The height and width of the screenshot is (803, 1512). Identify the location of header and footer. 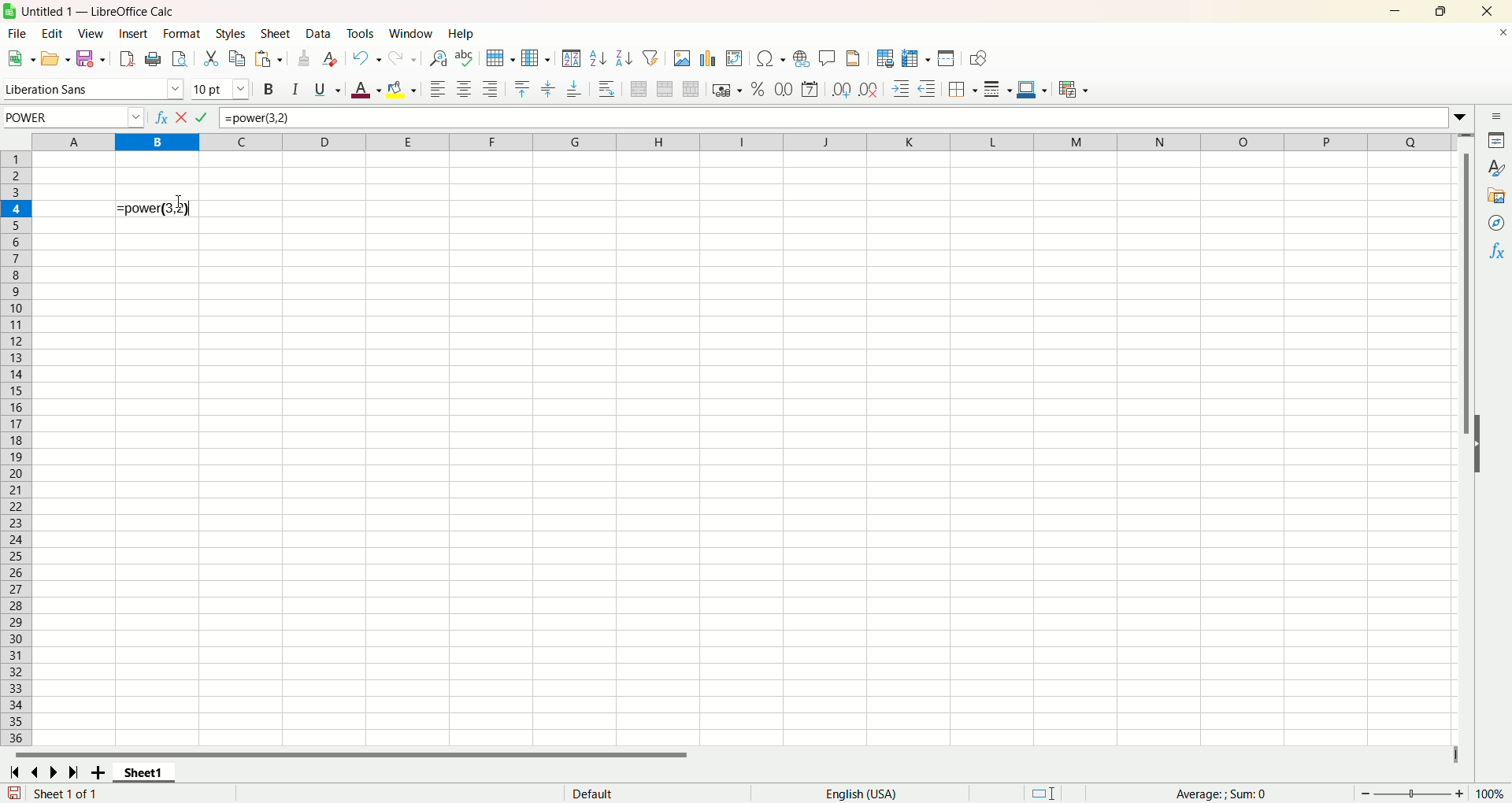
(854, 60).